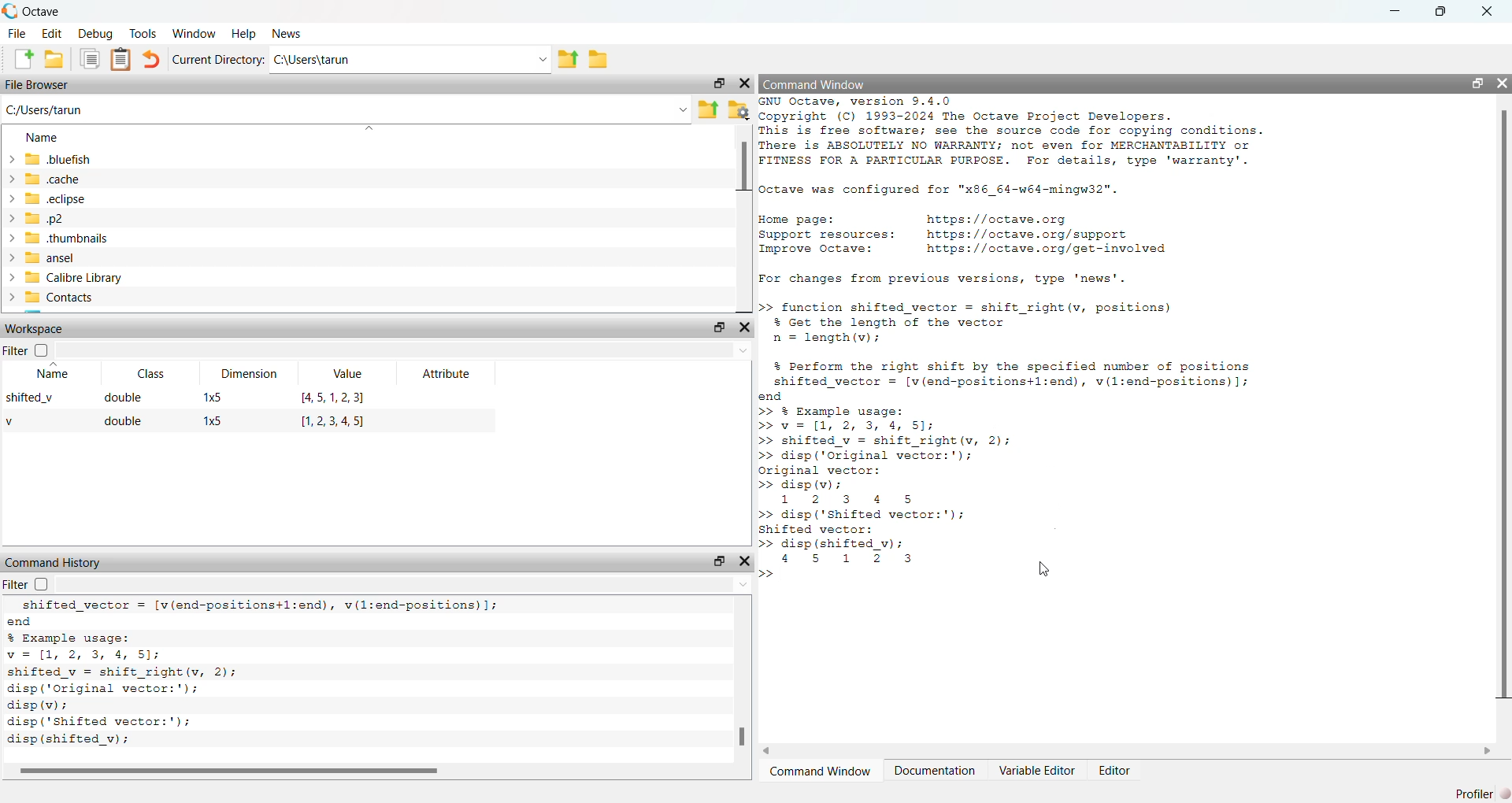  I want to click on [1,2,3,4,5], so click(338, 424).